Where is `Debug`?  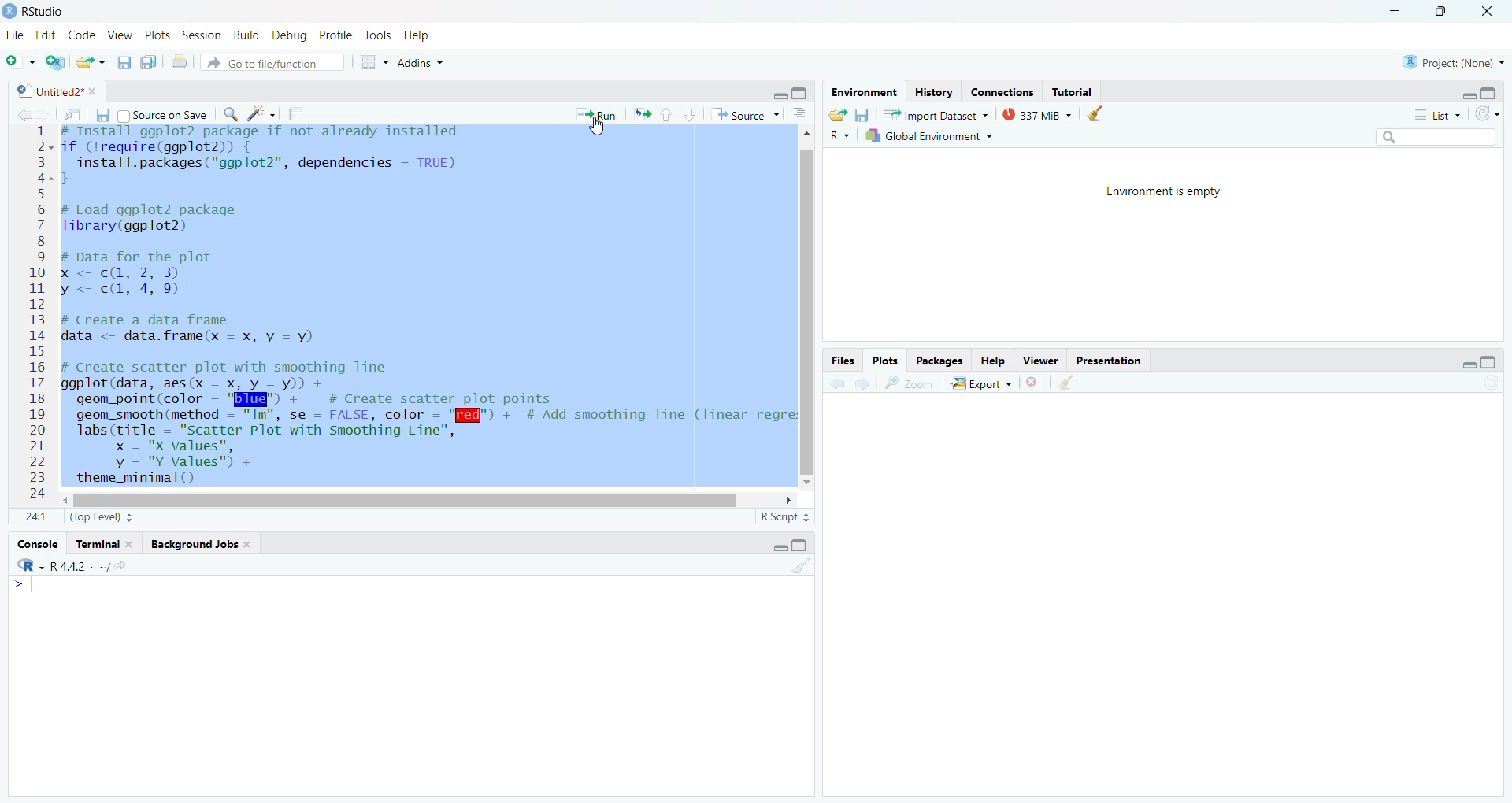
Debug is located at coordinates (289, 35).